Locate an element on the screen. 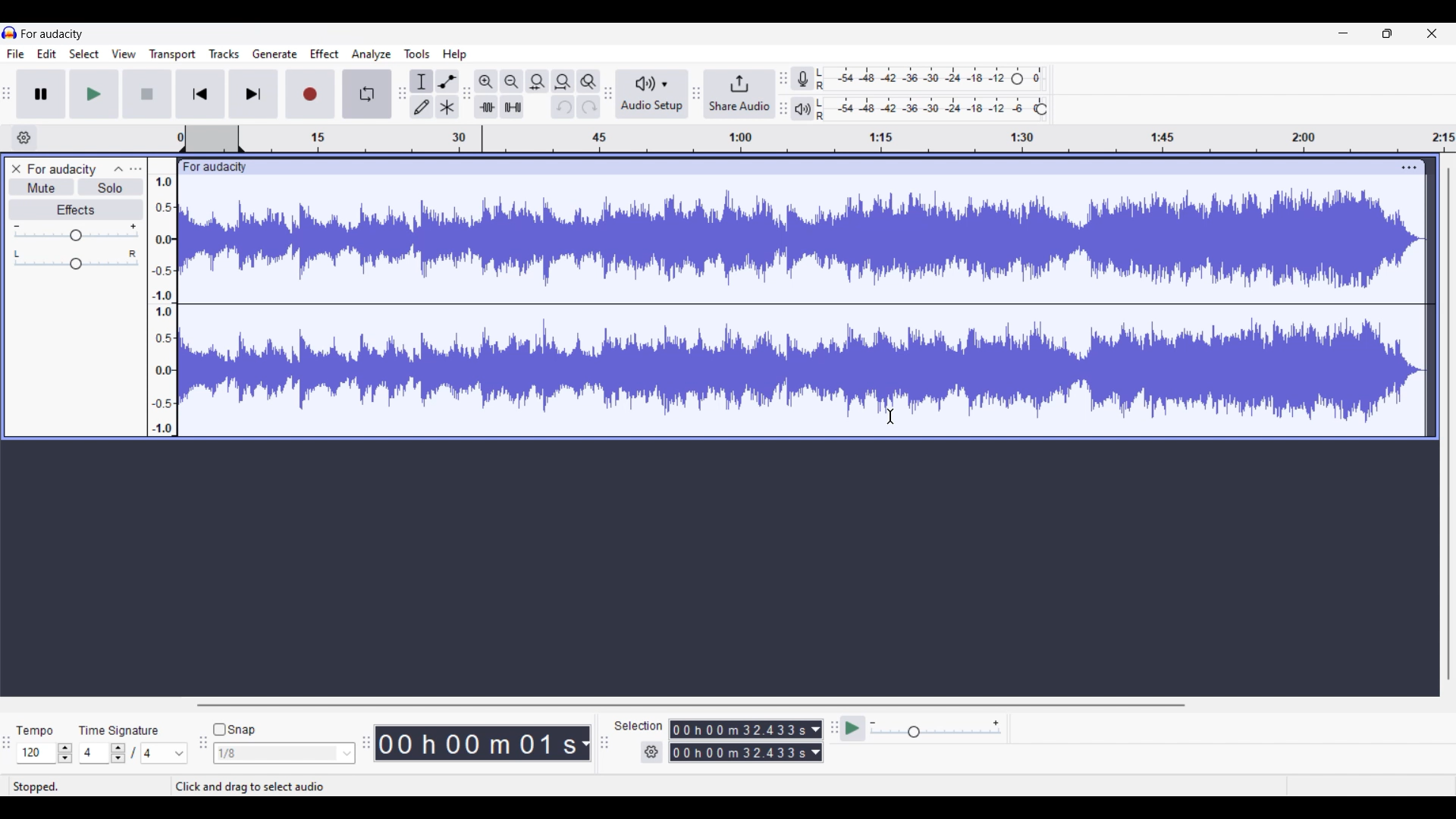  Selection duration is located at coordinates (739, 741).